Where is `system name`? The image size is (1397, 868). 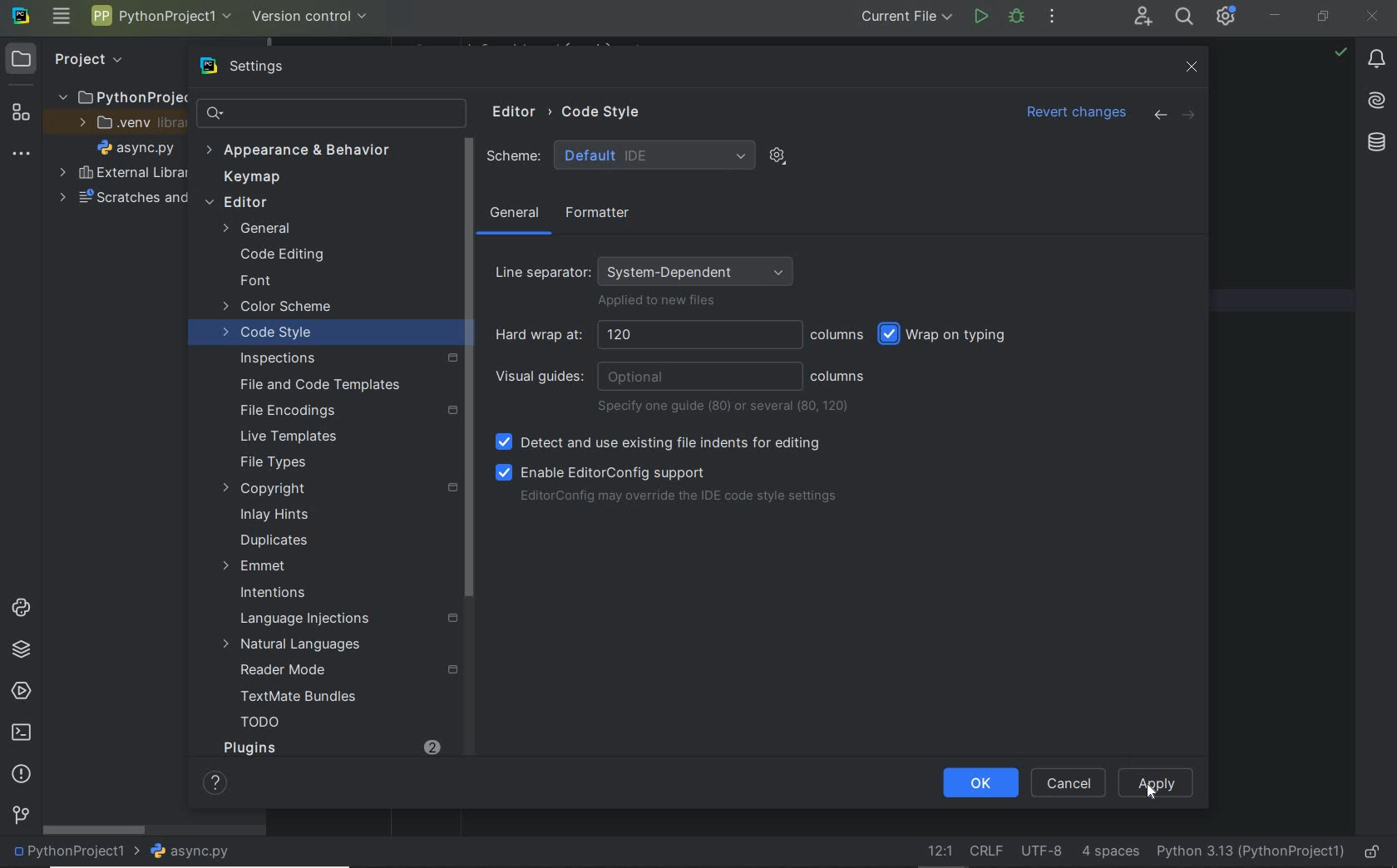 system name is located at coordinates (21, 19).